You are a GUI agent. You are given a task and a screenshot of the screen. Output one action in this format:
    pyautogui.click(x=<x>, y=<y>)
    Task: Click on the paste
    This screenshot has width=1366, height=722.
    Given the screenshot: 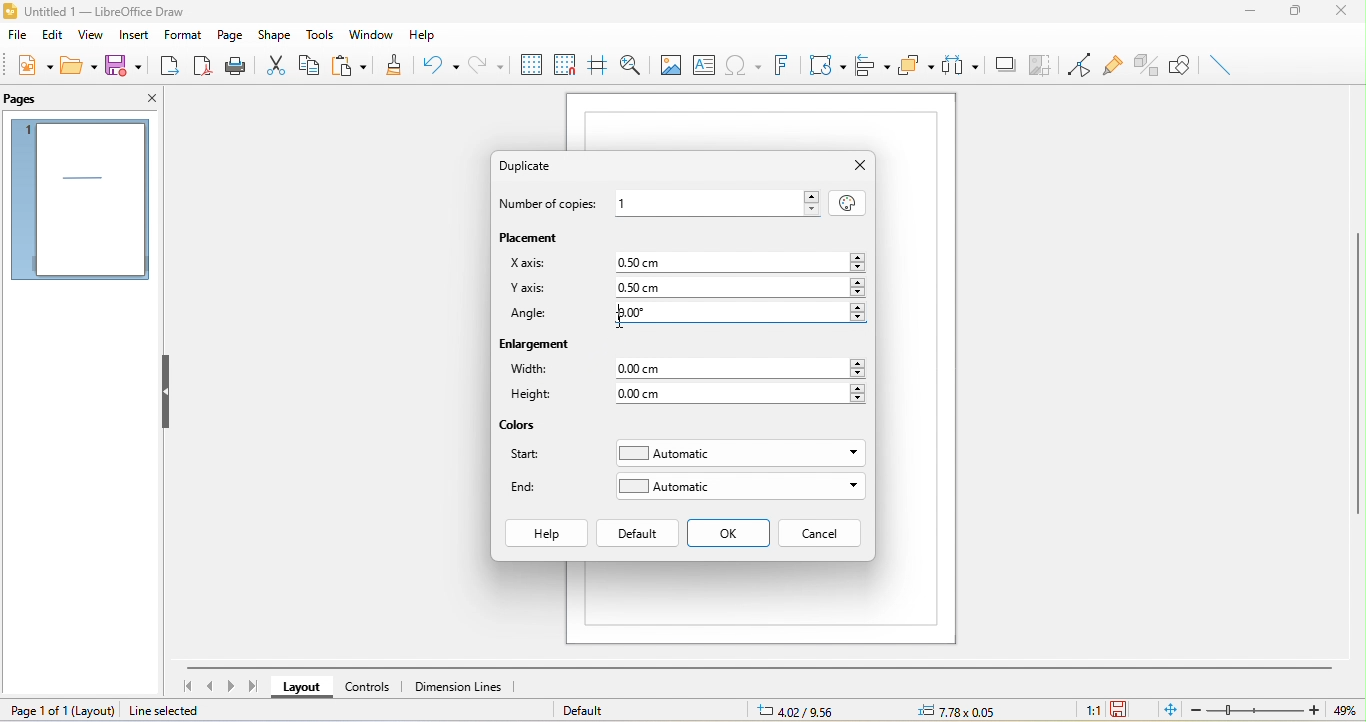 What is the action you would take?
    pyautogui.click(x=355, y=64)
    